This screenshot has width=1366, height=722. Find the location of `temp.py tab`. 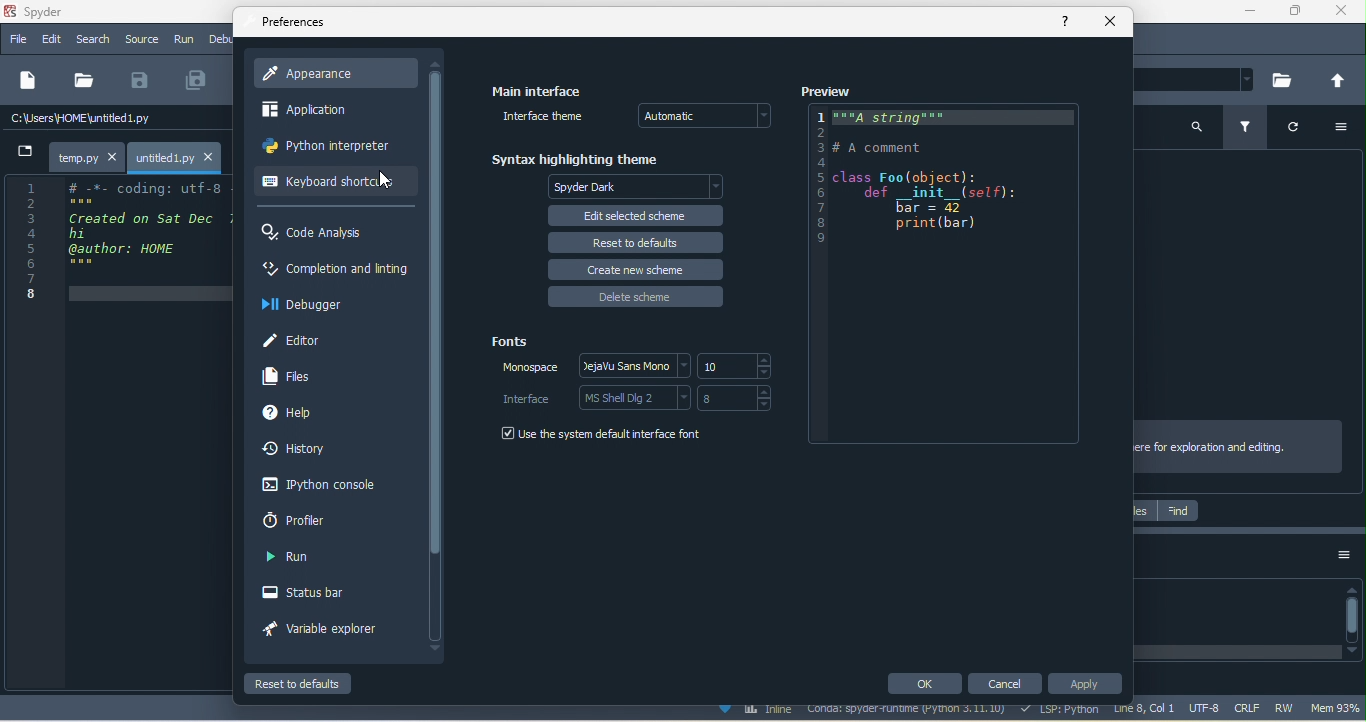

temp.py tab is located at coordinates (85, 154).